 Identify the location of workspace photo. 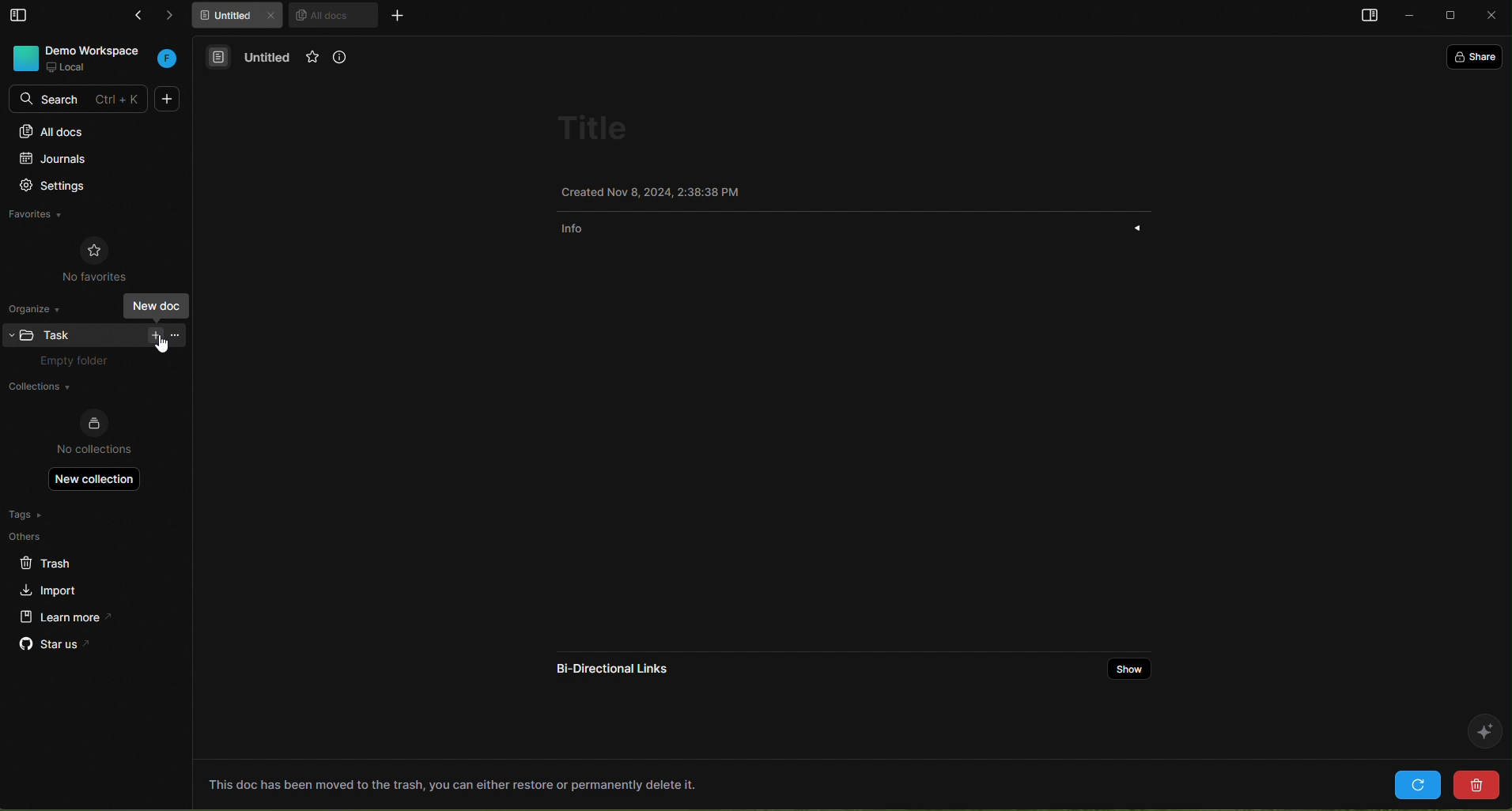
(24, 57).